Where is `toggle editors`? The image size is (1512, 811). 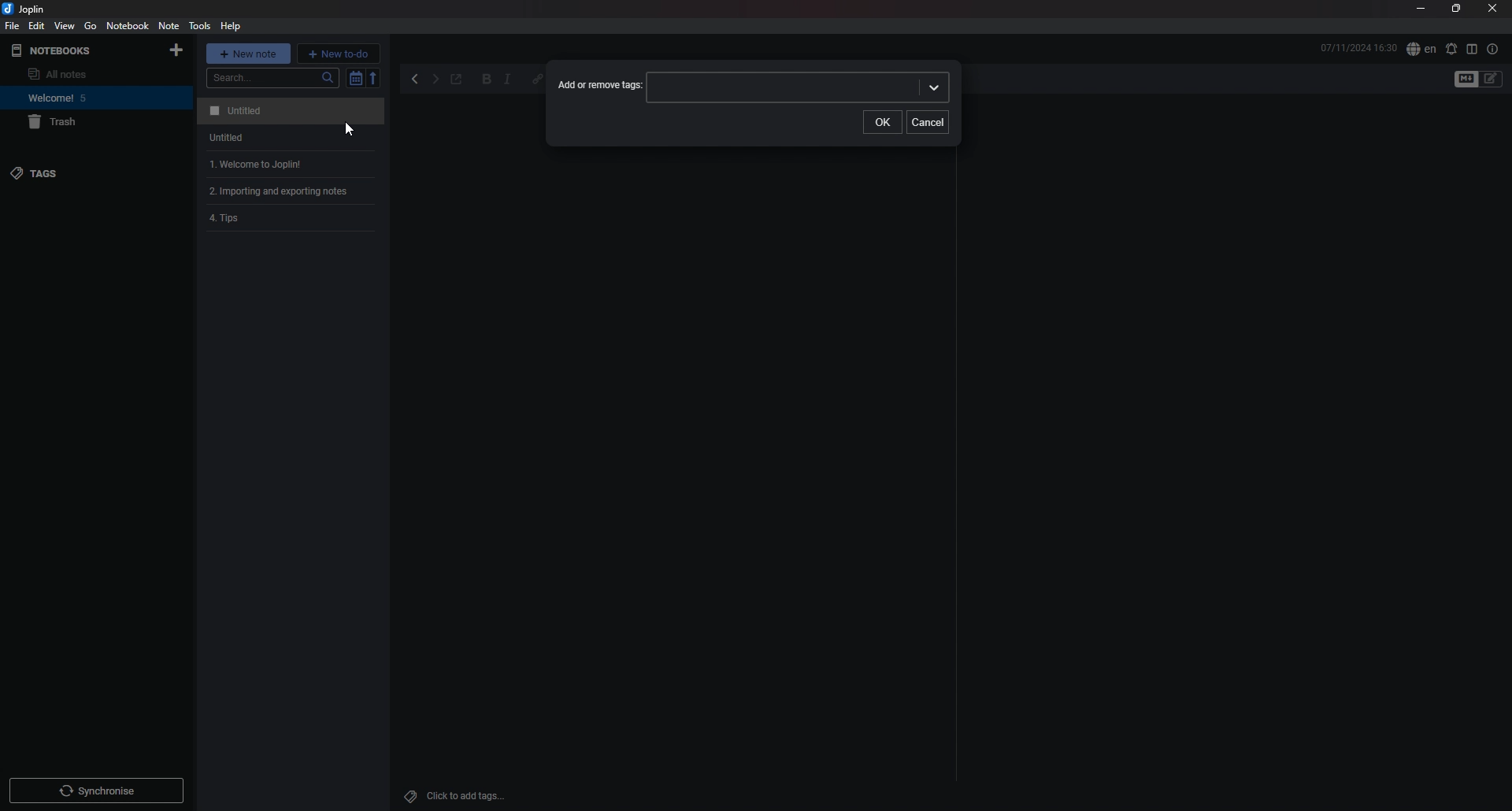 toggle editors is located at coordinates (1466, 80).